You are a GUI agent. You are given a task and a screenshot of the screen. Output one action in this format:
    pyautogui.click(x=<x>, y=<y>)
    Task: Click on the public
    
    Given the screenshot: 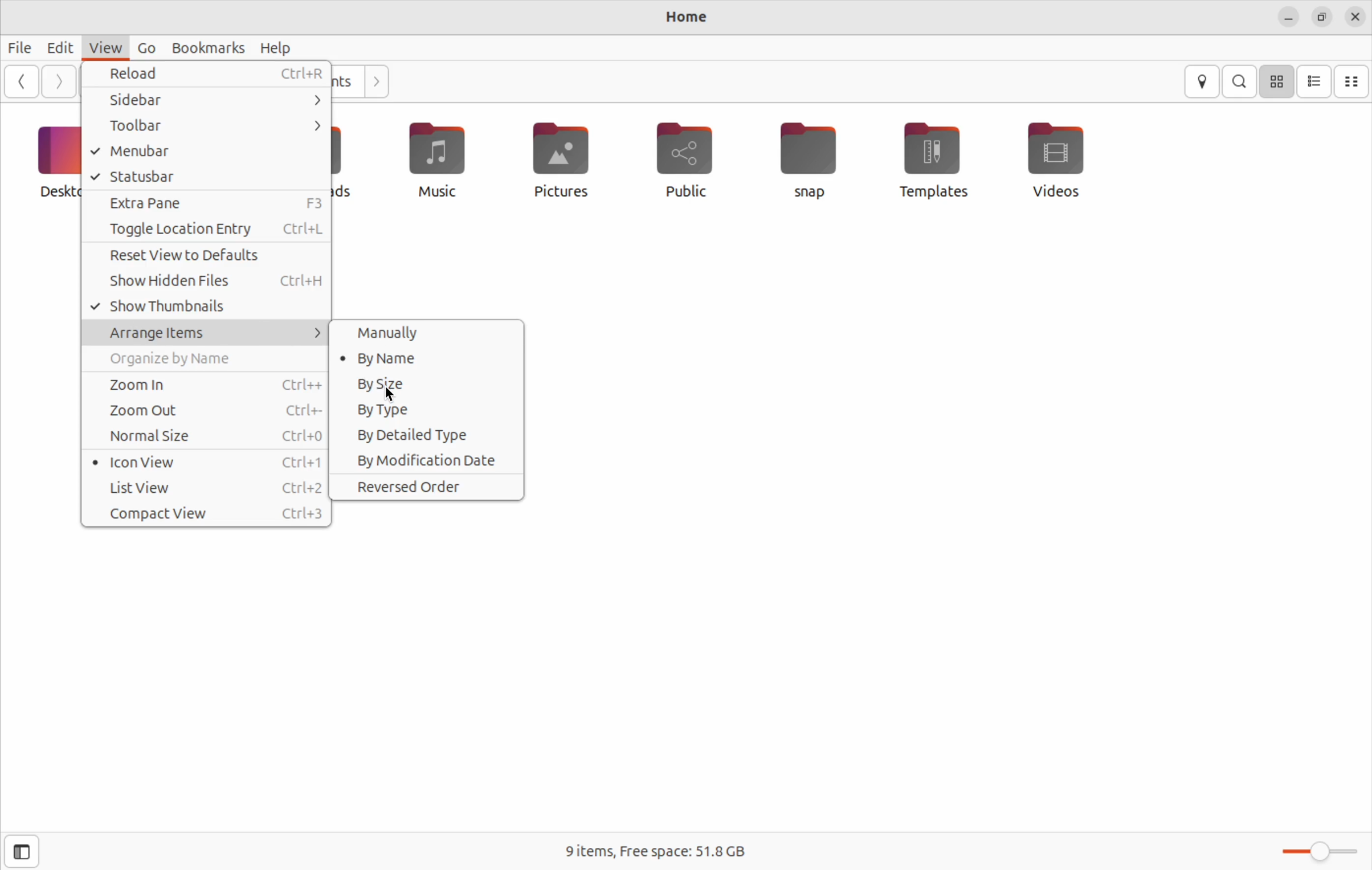 What is the action you would take?
    pyautogui.click(x=681, y=158)
    